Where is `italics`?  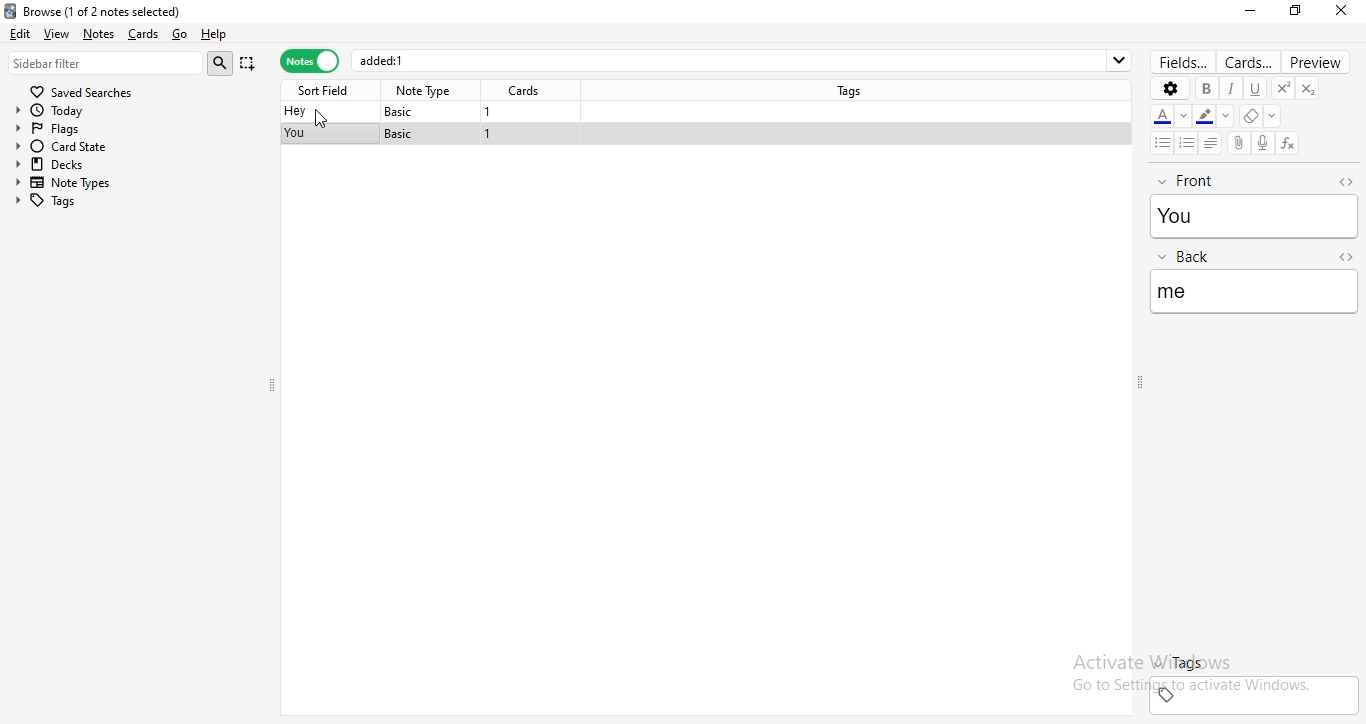
italics is located at coordinates (1233, 88).